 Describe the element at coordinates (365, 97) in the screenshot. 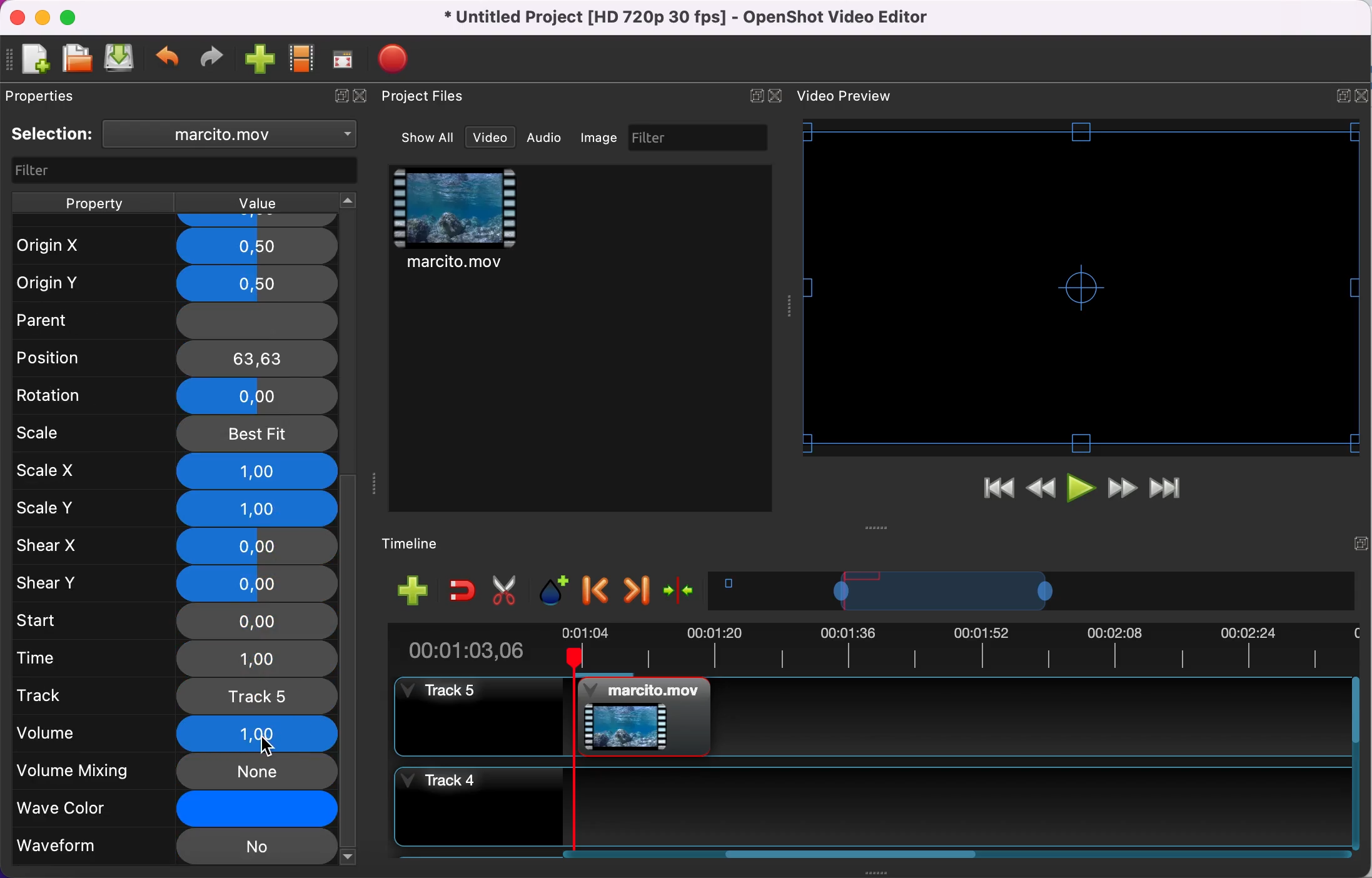

I see `close` at that location.